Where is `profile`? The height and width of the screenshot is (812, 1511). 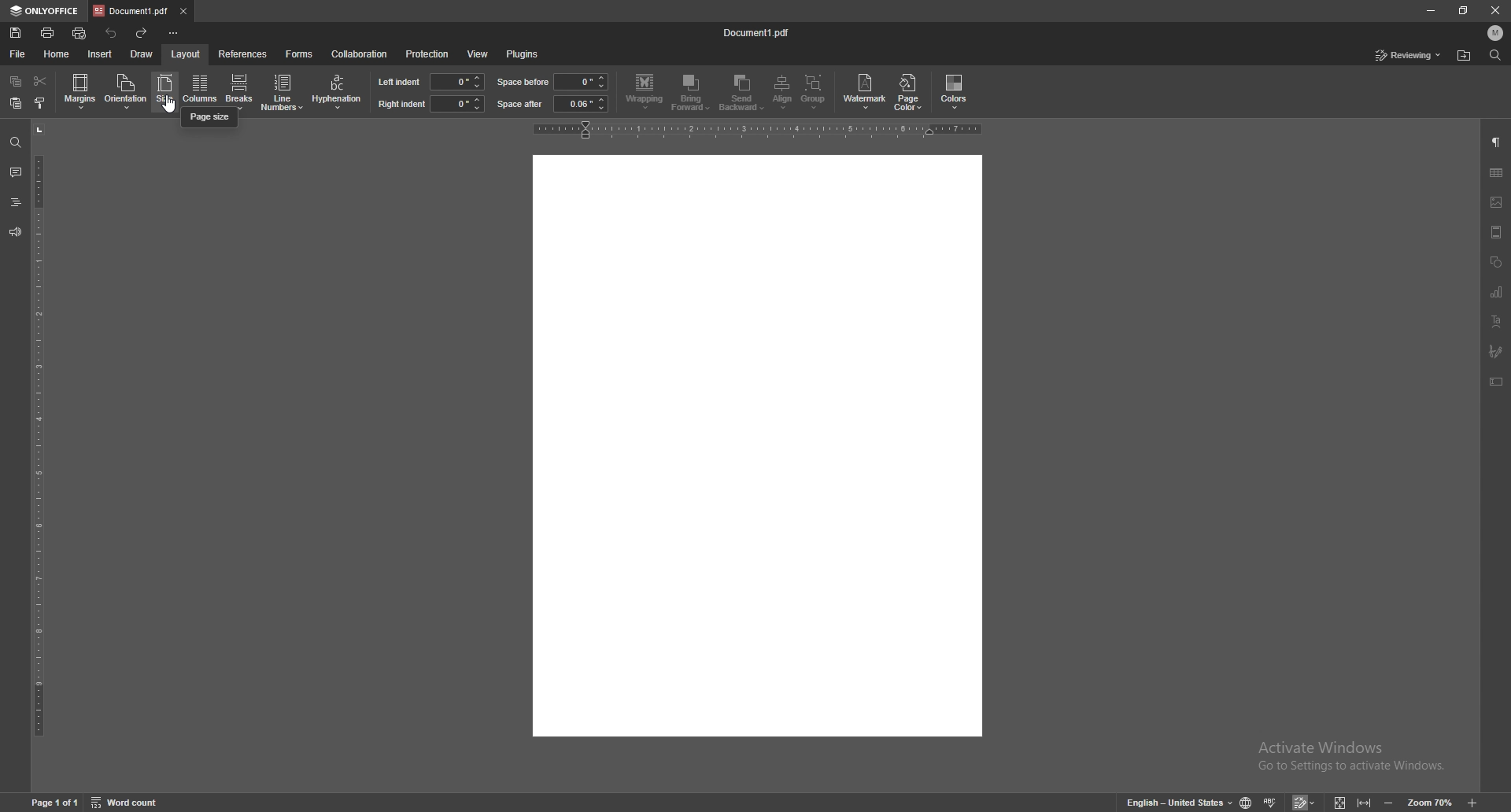 profile is located at coordinates (1497, 32).